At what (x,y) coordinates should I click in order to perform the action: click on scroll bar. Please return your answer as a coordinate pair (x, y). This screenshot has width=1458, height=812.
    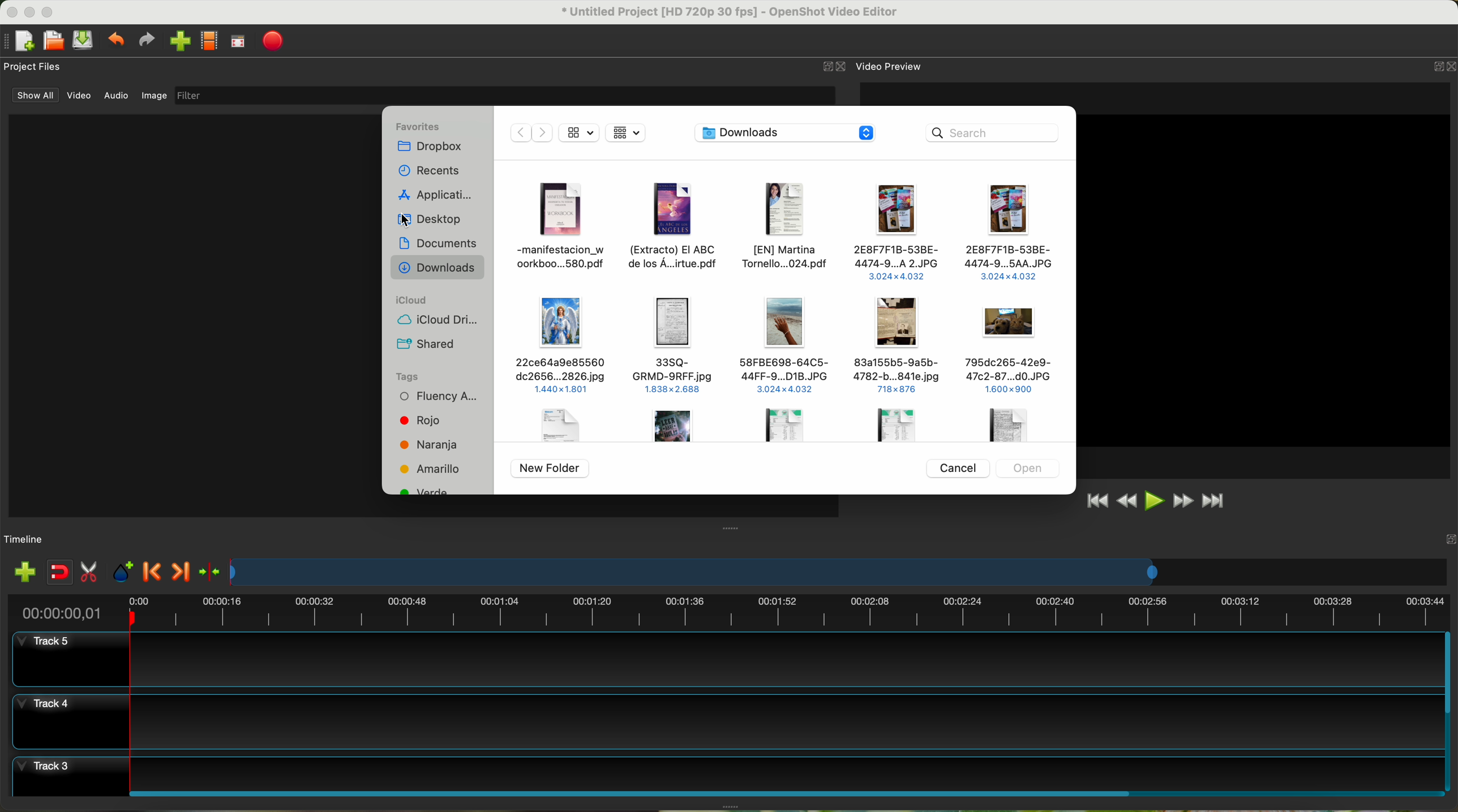
    Looking at the image, I should click on (784, 792).